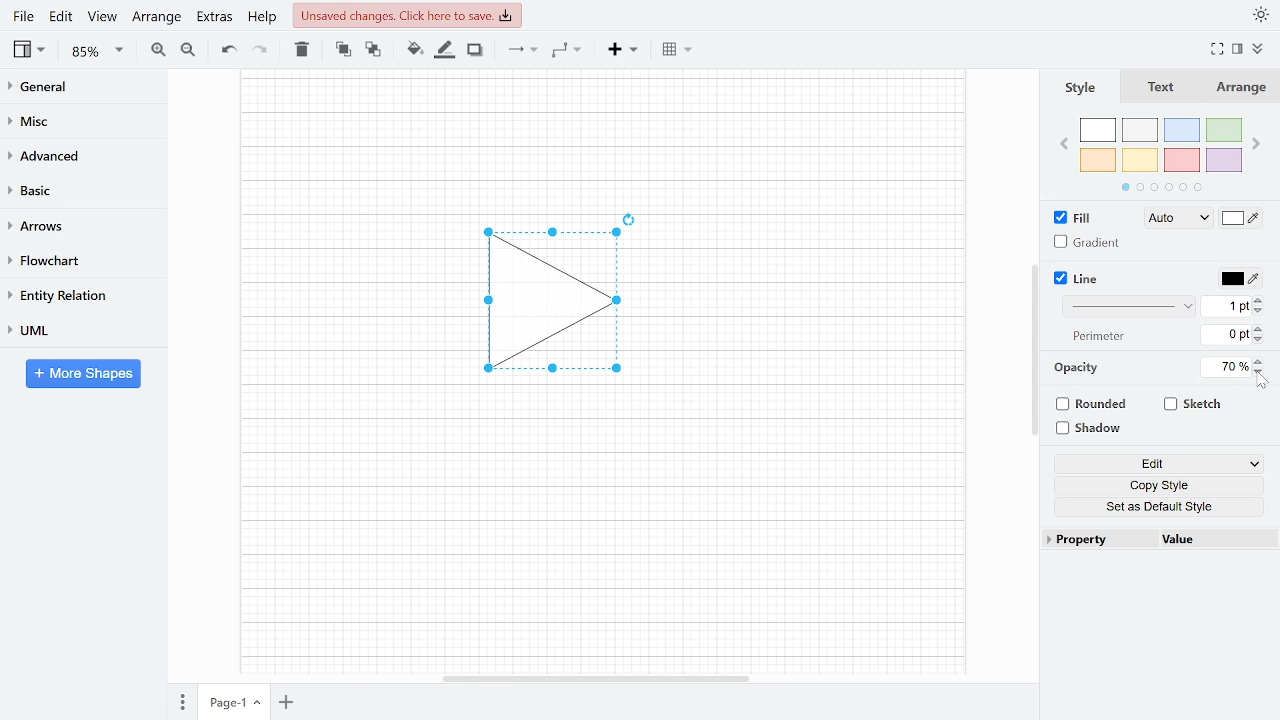 This screenshot has height=720, width=1280. What do you see at coordinates (181, 704) in the screenshot?
I see `Pages` at bounding box center [181, 704].